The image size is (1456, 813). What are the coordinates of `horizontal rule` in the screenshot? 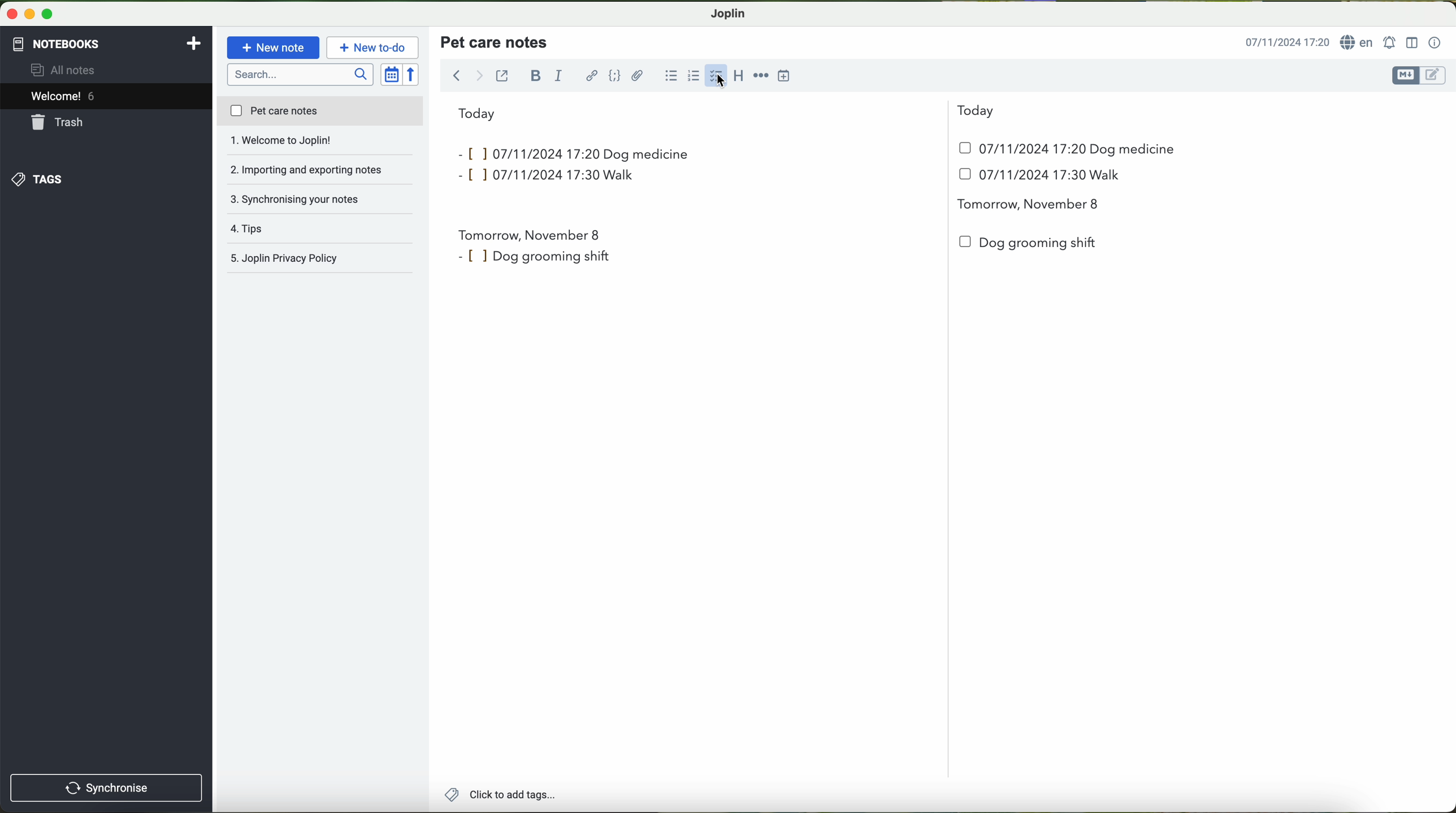 It's located at (763, 76).